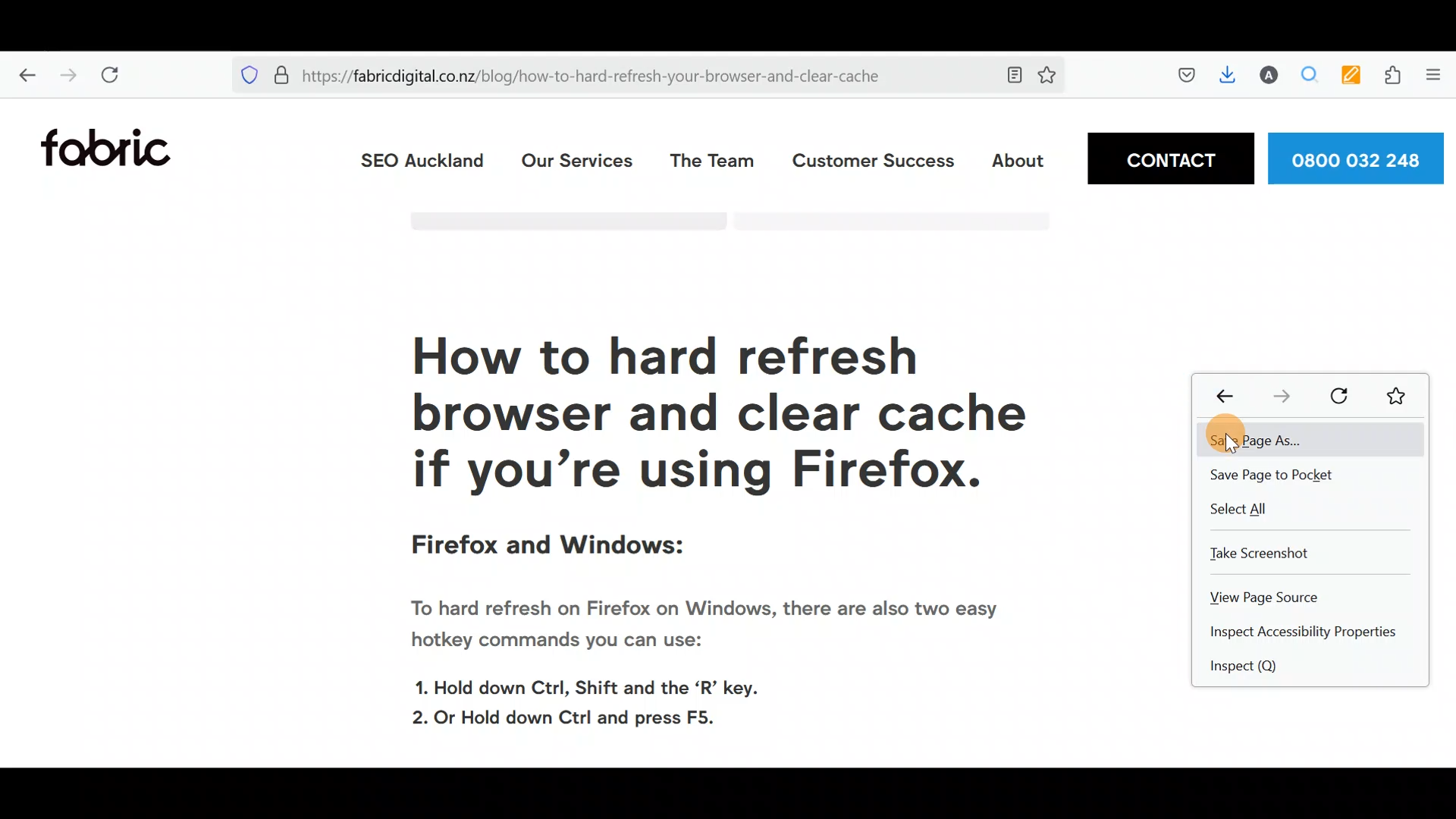  Describe the element at coordinates (1236, 435) in the screenshot. I see `Cursor` at that location.